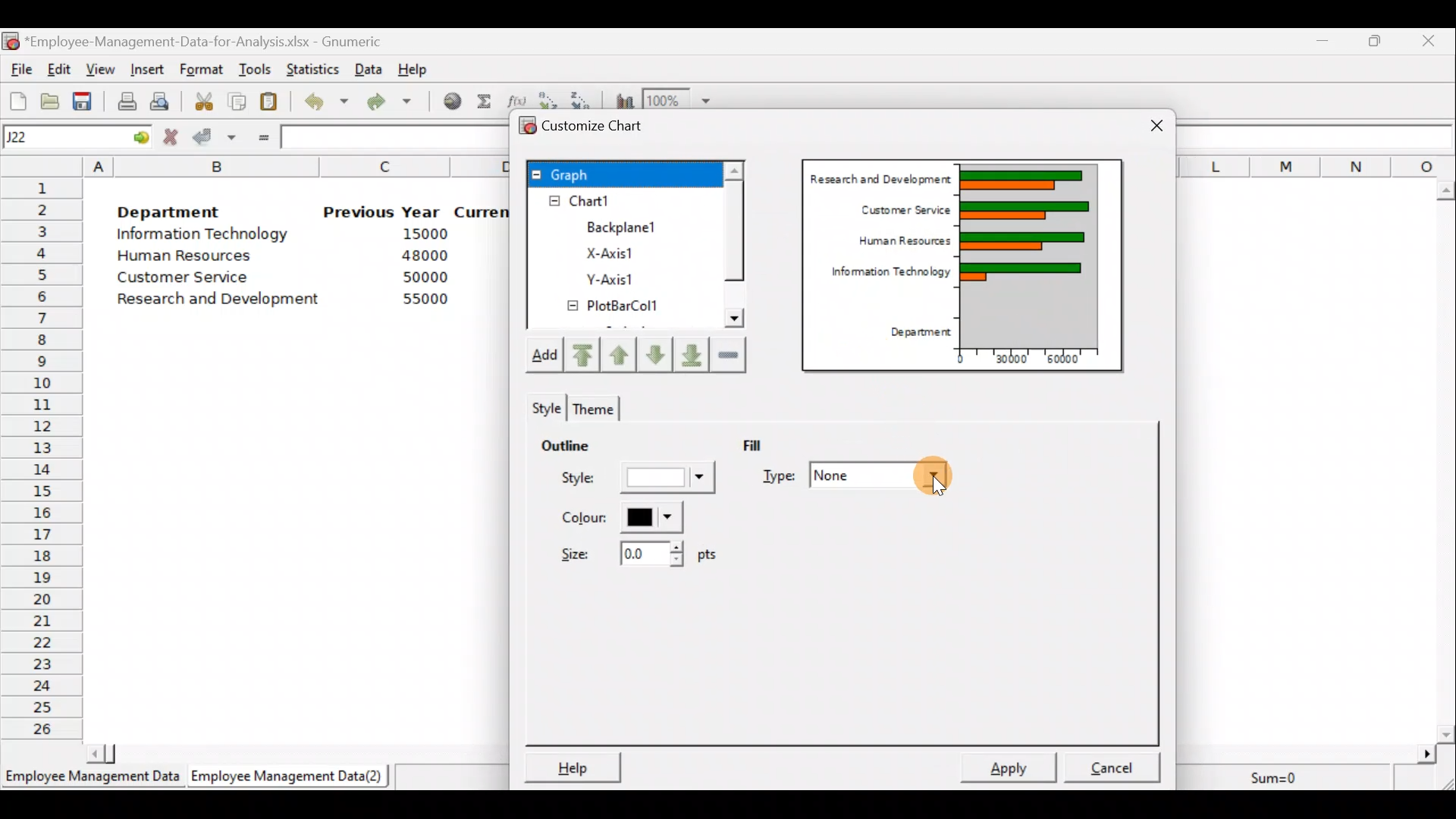 The image size is (1456, 819). Describe the element at coordinates (124, 99) in the screenshot. I see `Print current file` at that location.